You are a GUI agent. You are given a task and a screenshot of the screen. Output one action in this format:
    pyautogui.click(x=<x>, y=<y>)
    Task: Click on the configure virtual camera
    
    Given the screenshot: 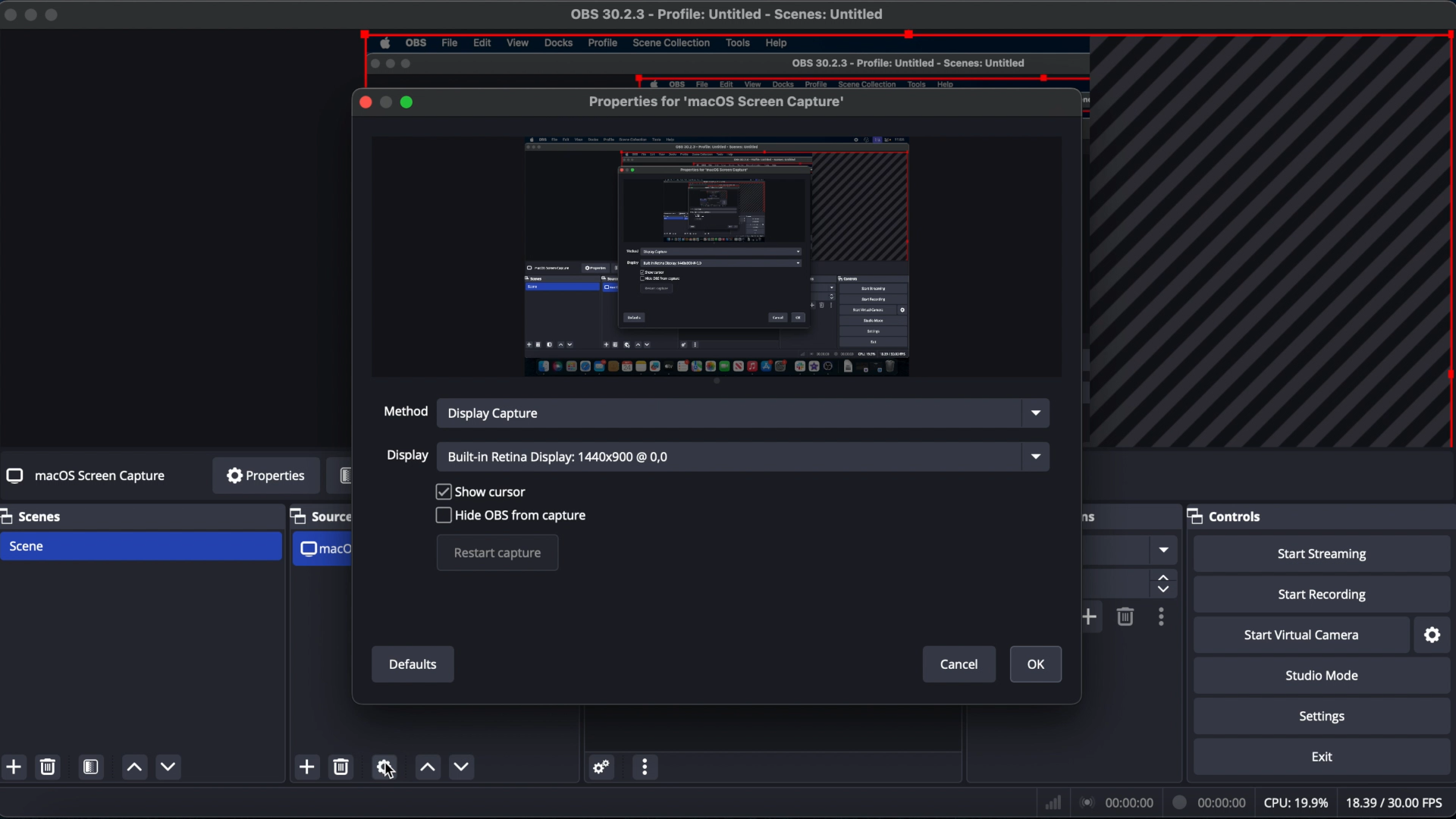 What is the action you would take?
    pyautogui.click(x=1433, y=636)
    